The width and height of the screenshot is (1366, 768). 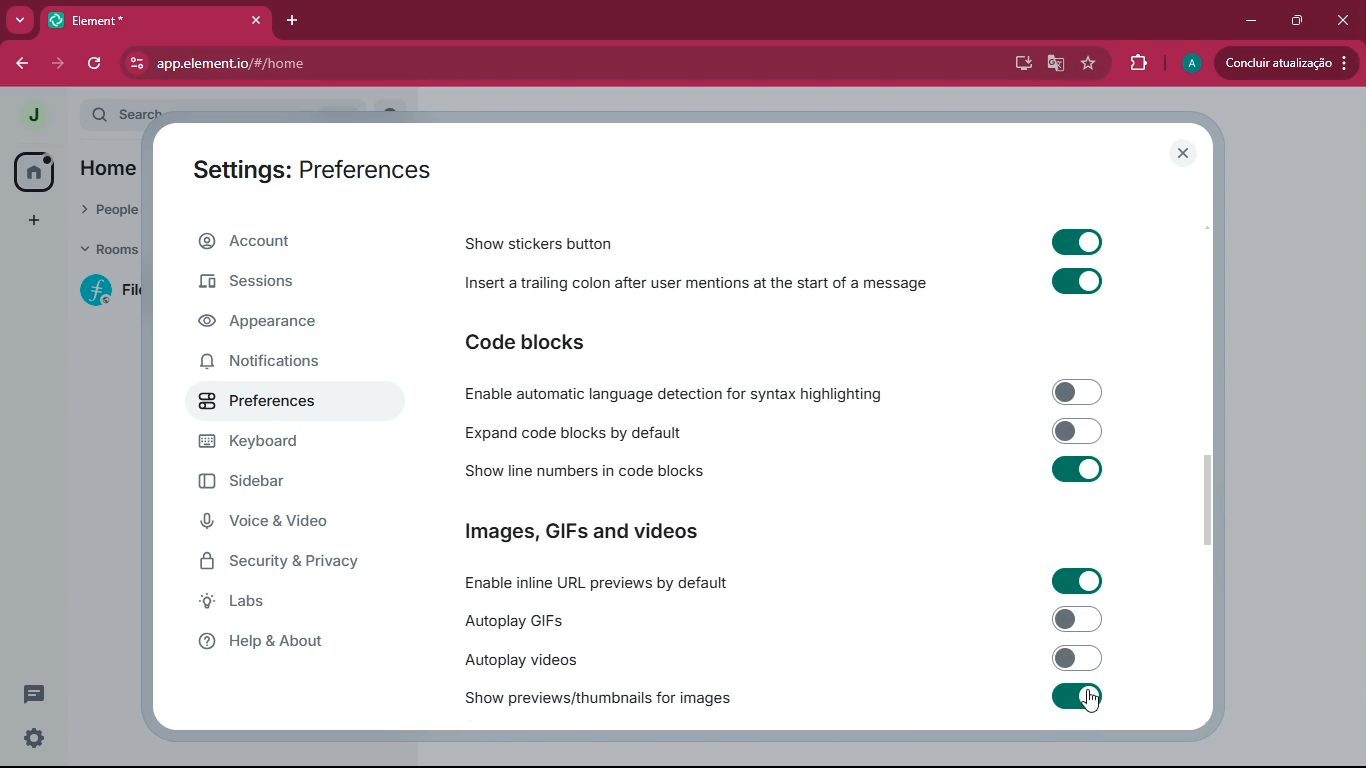 What do you see at coordinates (20, 63) in the screenshot?
I see `back` at bounding box center [20, 63].